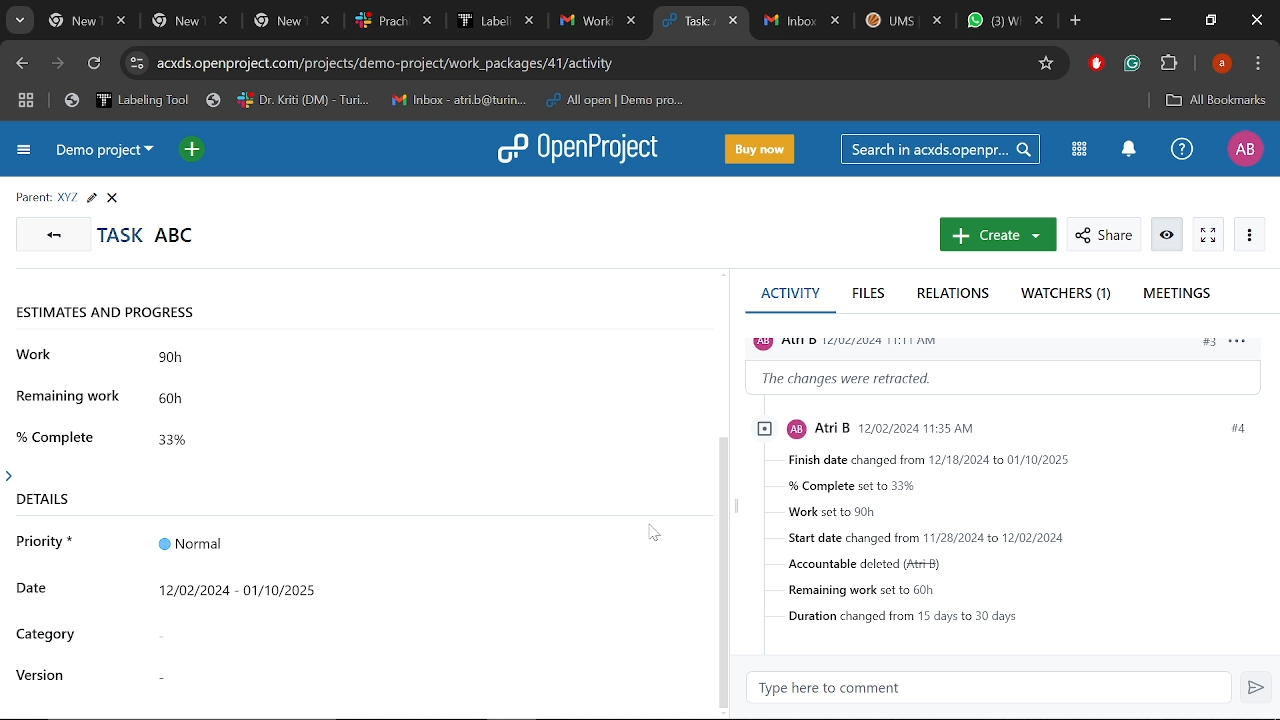 The width and height of the screenshot is (1280, 720). What do you see at coordinates (416, 587) in the screenshot?
I see `Timeline added` at bounding box center [416, 587].